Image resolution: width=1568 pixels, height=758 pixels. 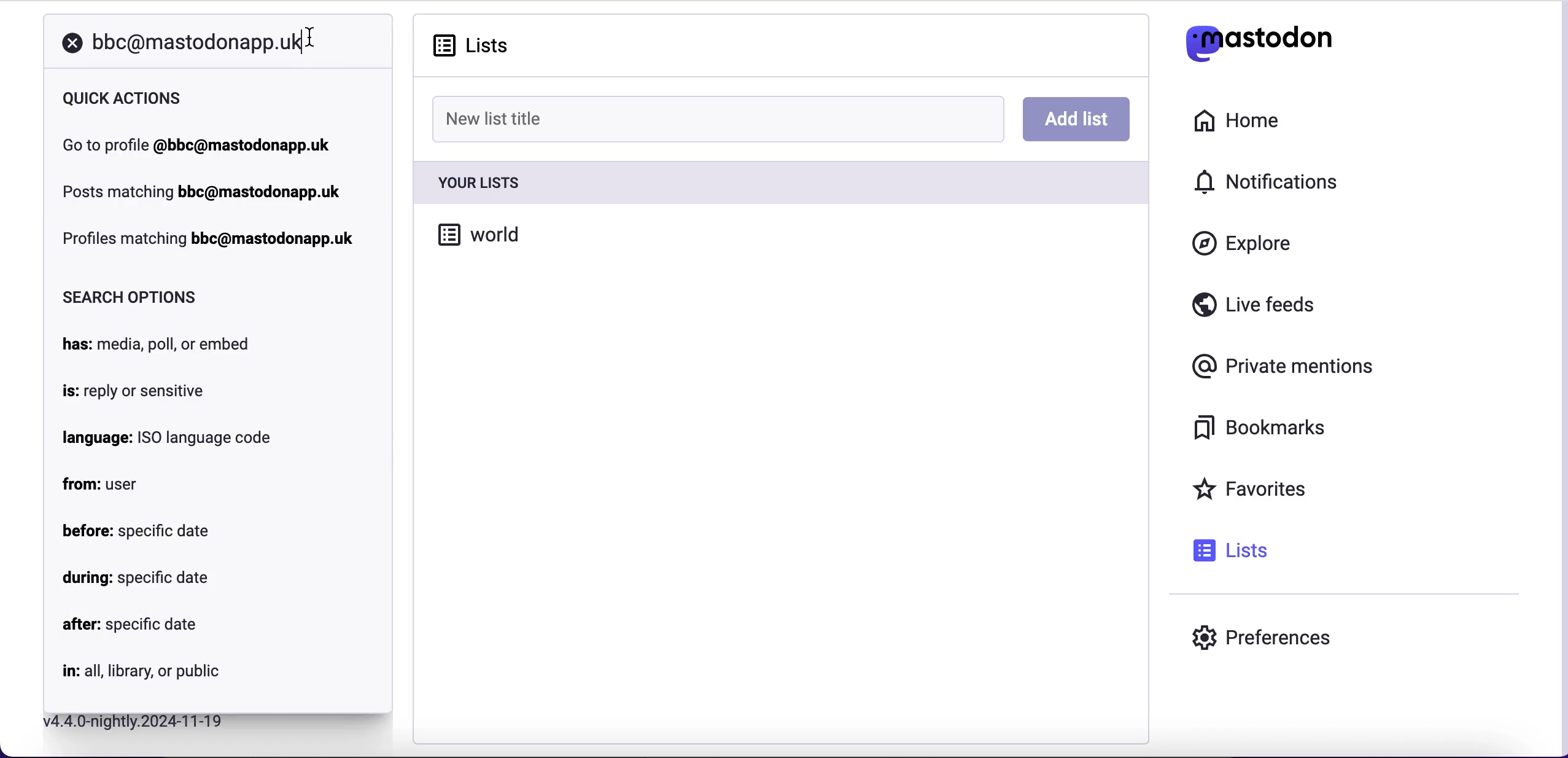 What do you see at coordinates (1254, 491) in the screenshot?
I see `favorites` at bounding box center [1254, 491].